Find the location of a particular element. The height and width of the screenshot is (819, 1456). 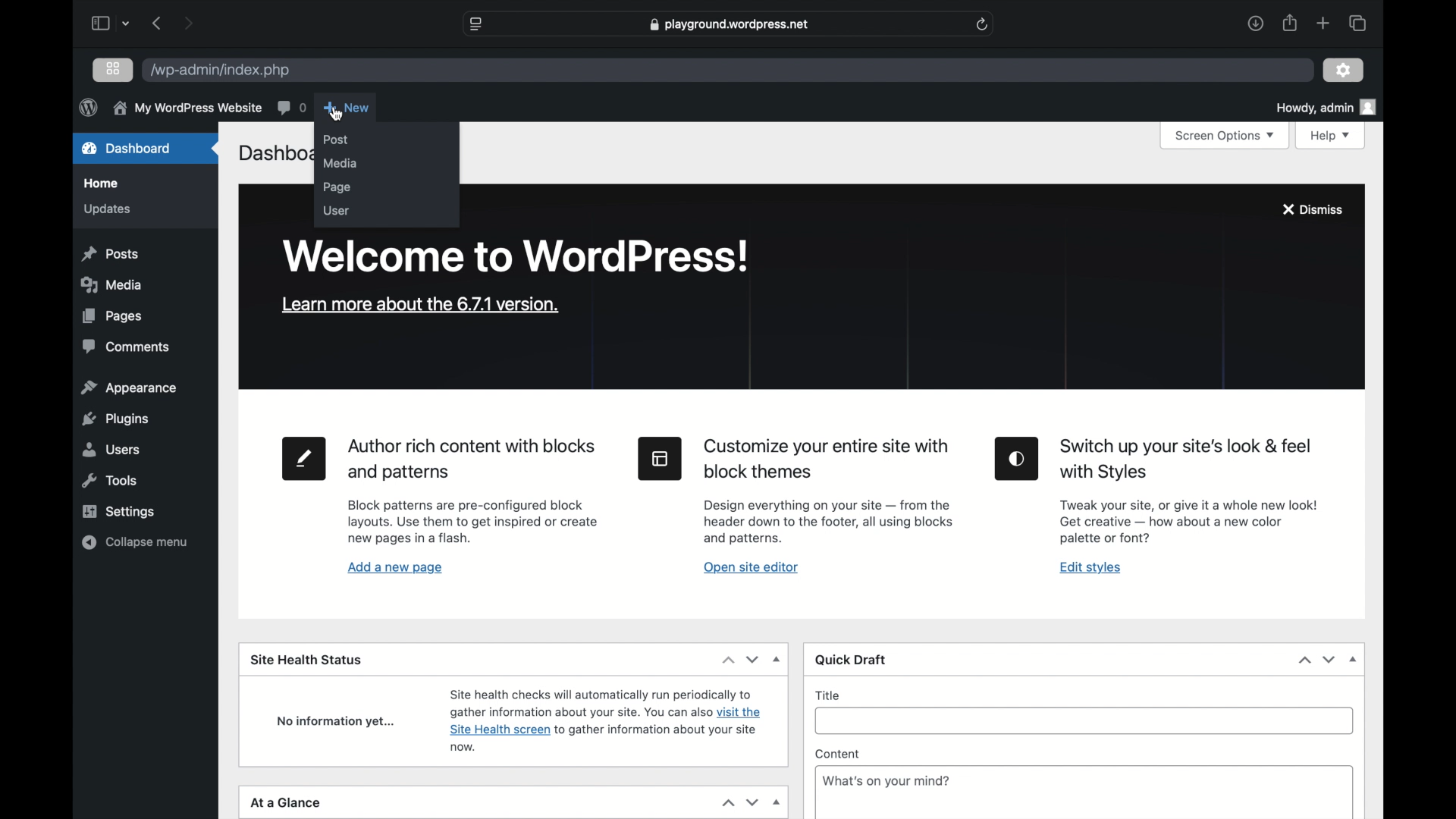

next page is located at coordinates (188, 23).